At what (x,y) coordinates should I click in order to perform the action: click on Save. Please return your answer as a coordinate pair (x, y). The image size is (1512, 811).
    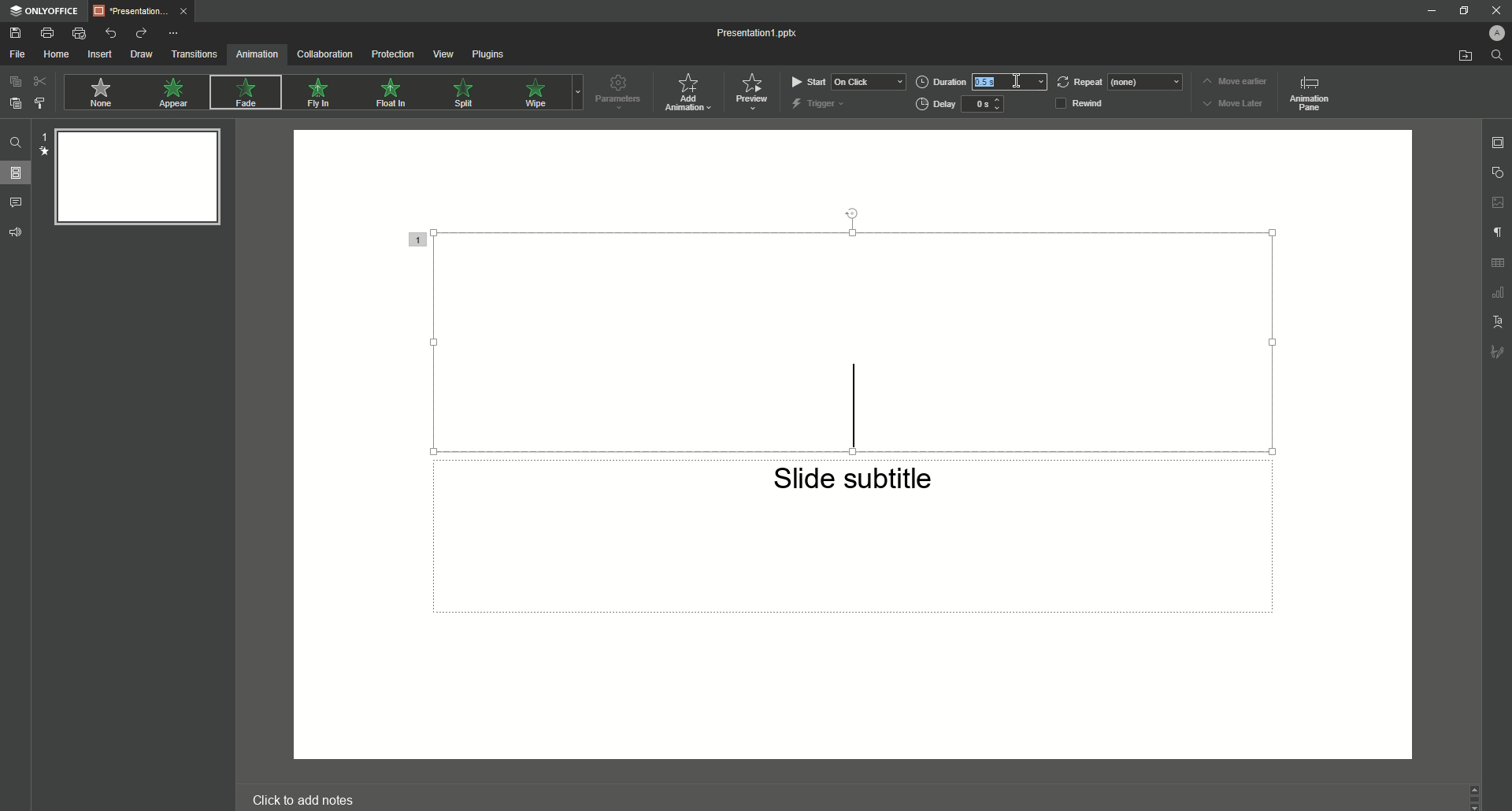
    Looking at the image, I should click on (20, 31).